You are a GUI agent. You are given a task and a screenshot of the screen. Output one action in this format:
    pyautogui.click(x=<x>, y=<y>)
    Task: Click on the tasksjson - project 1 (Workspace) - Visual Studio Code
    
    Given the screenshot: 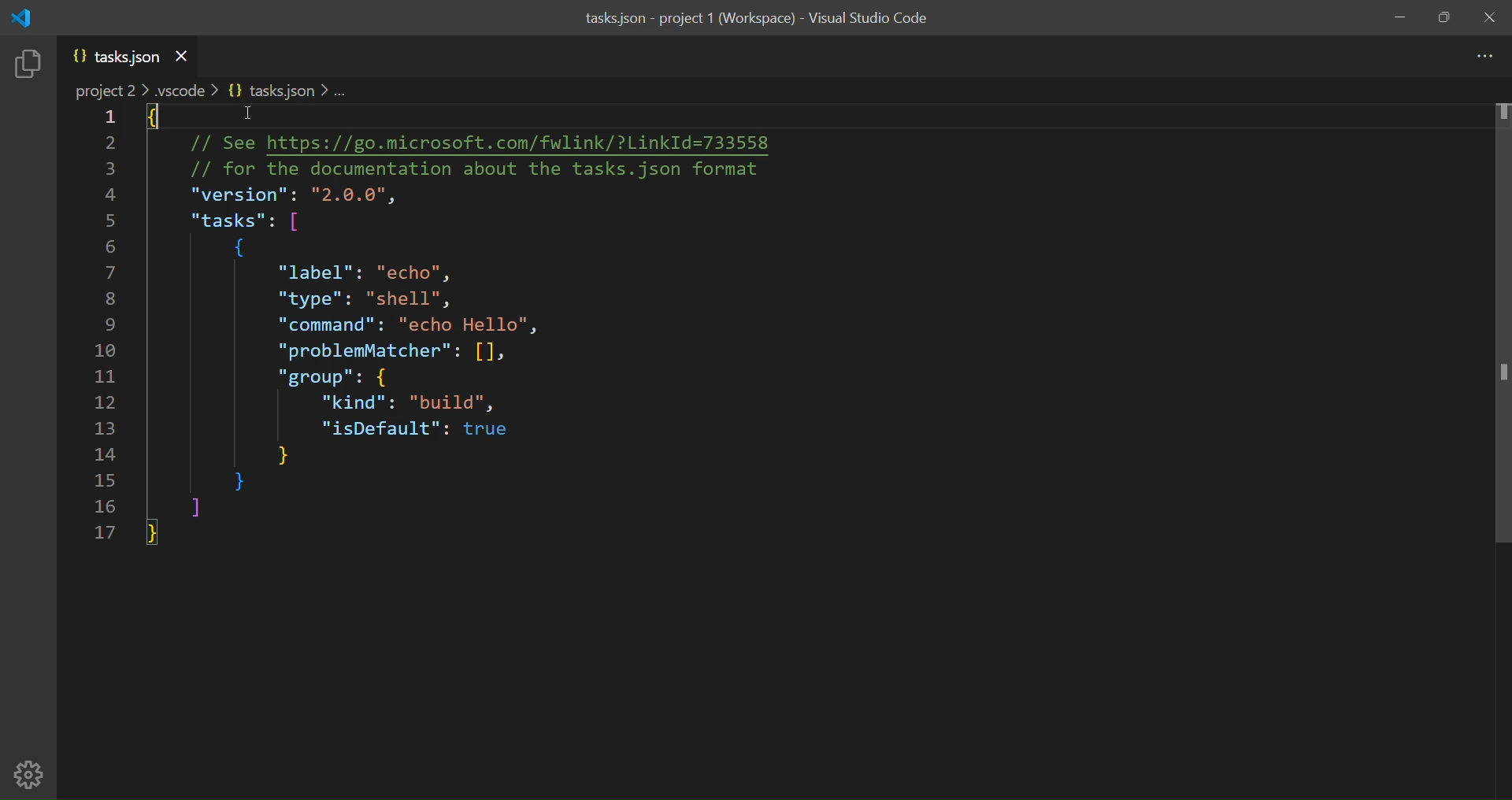 What is the action you would take?
    pyautogui.click(x=757, y=22)
    